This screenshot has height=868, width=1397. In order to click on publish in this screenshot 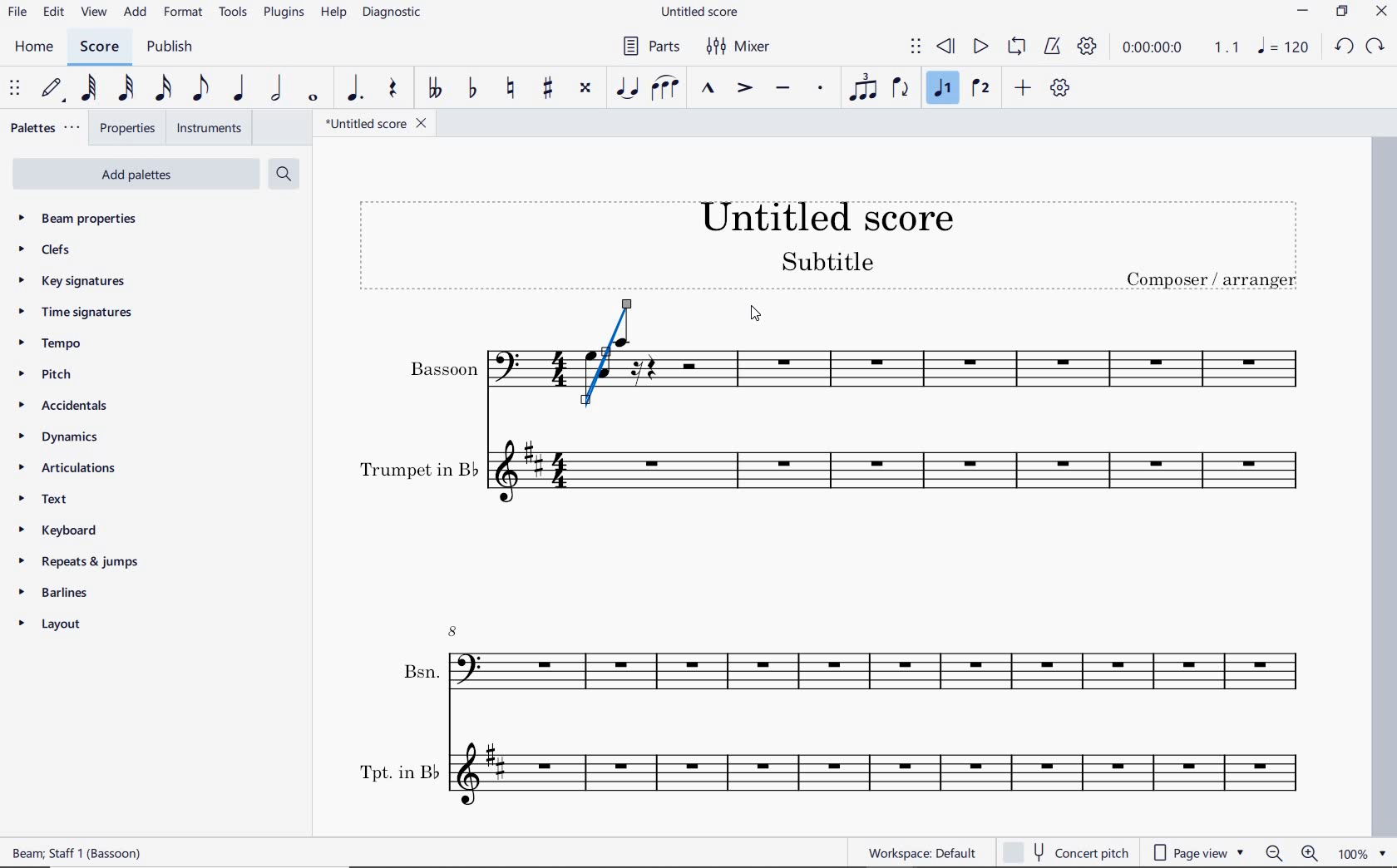, I will do `click(170, 47)`.